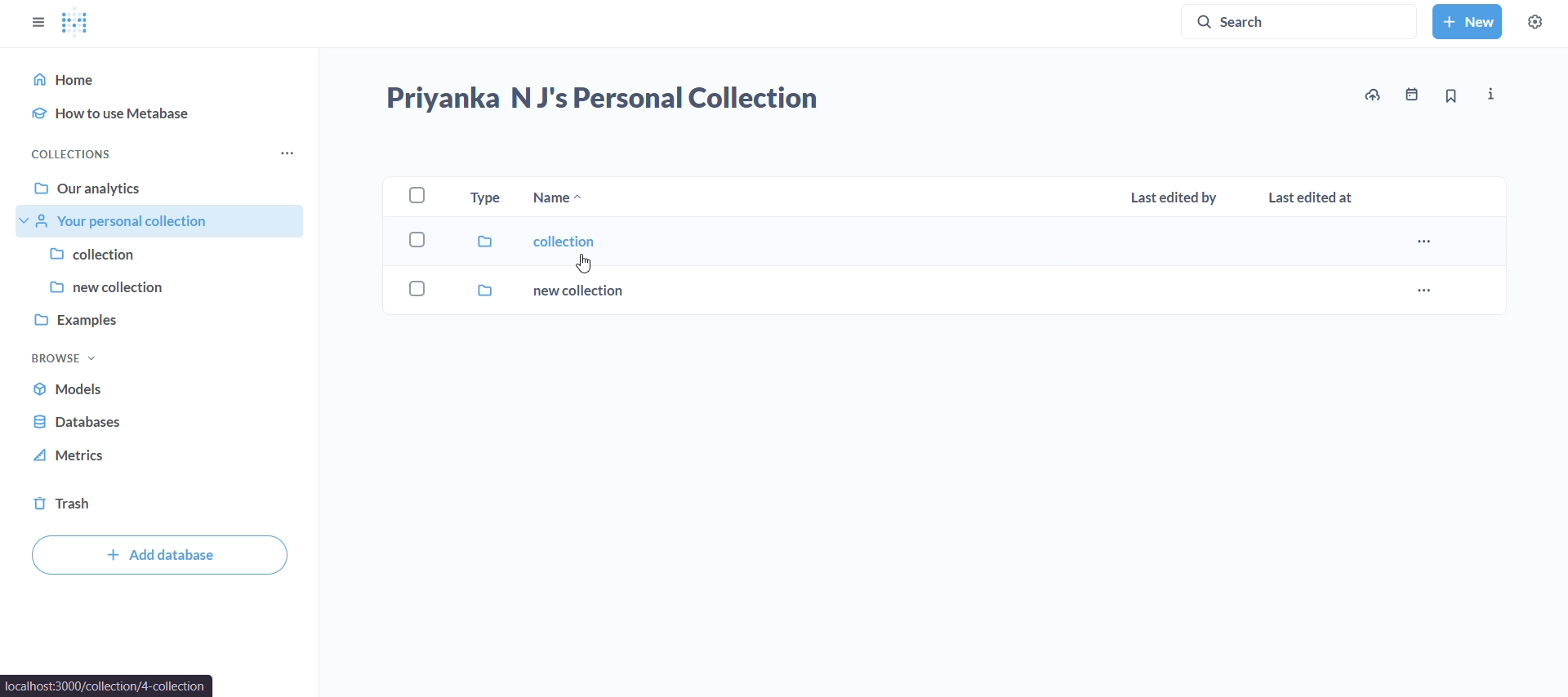  Describe the element at coordinates (1491, 94) in the screenshot. I see `more info` at that location.